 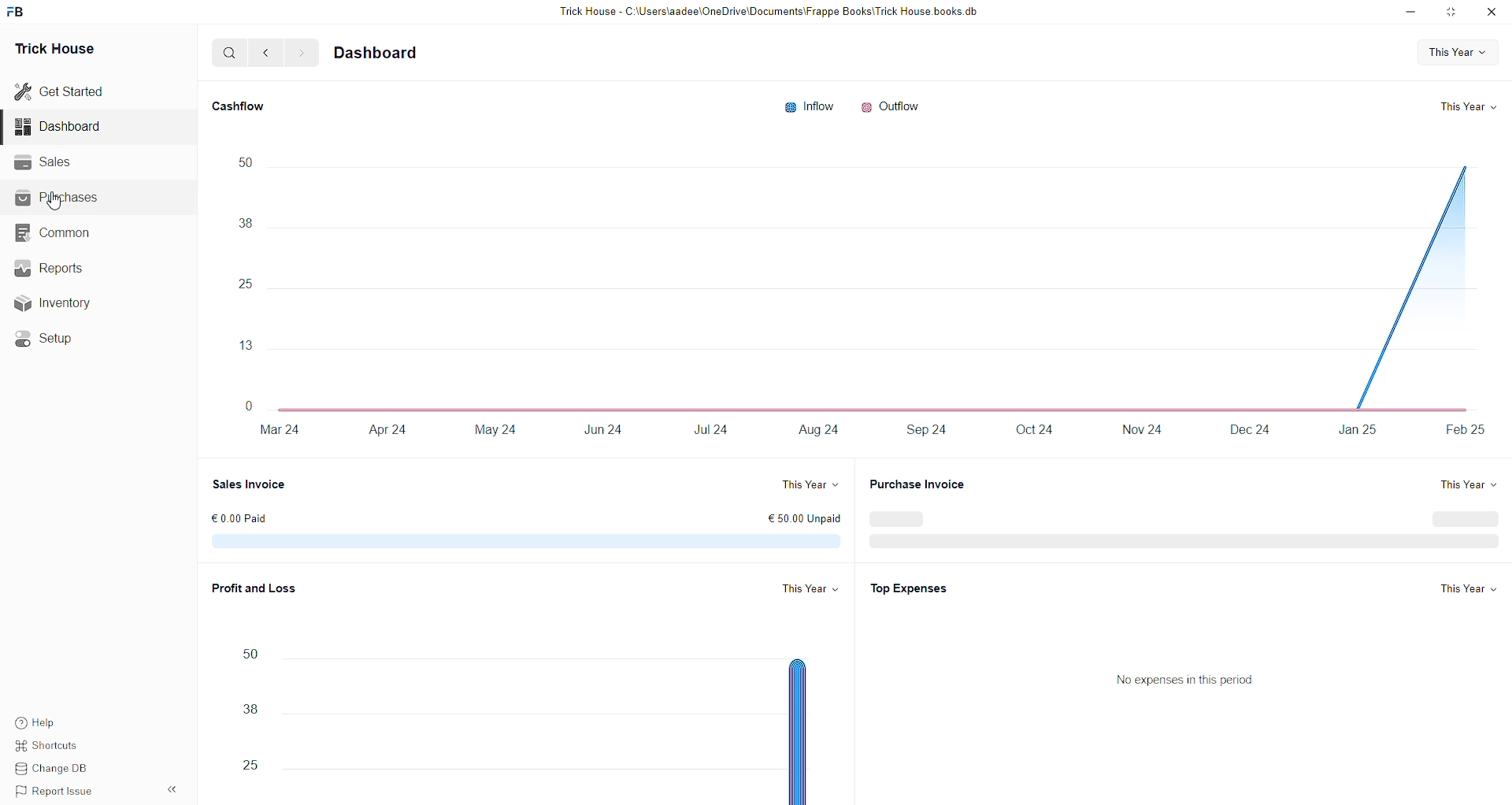 I want to click on Get Started, so click(x=62, y=90).